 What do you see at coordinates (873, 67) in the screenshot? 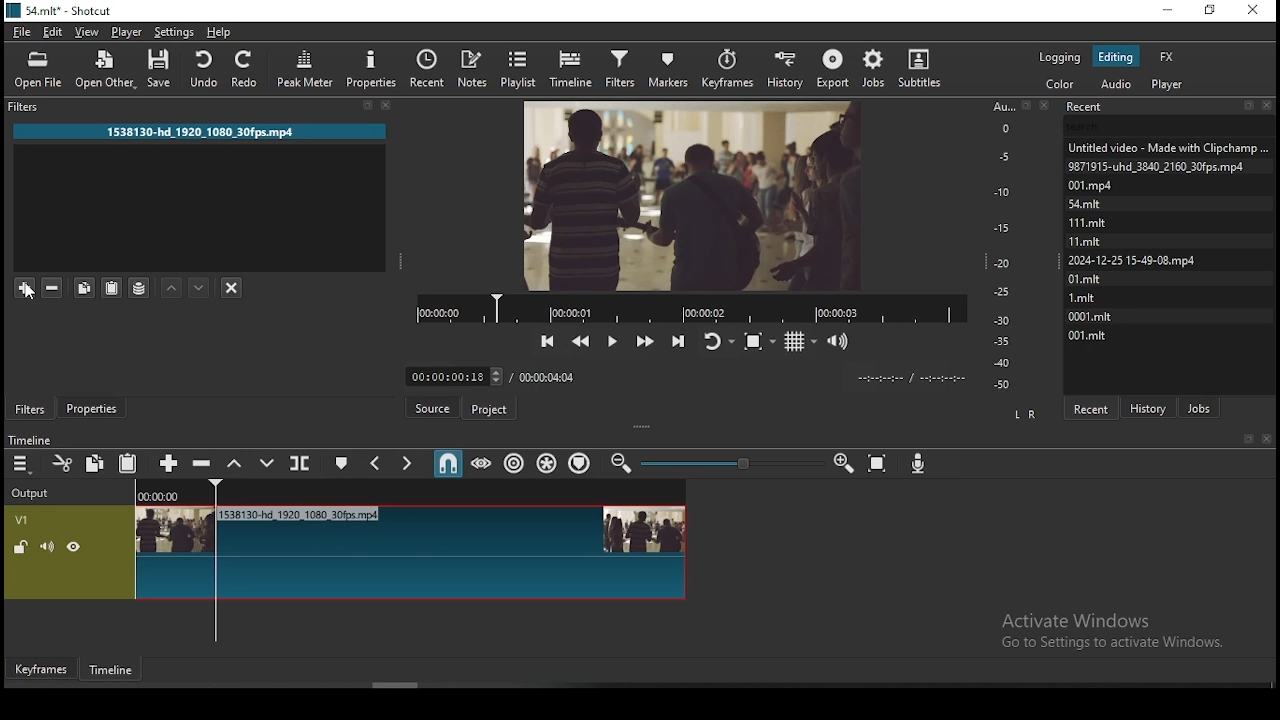
I see `jobs` at bounding box center [873, 67].